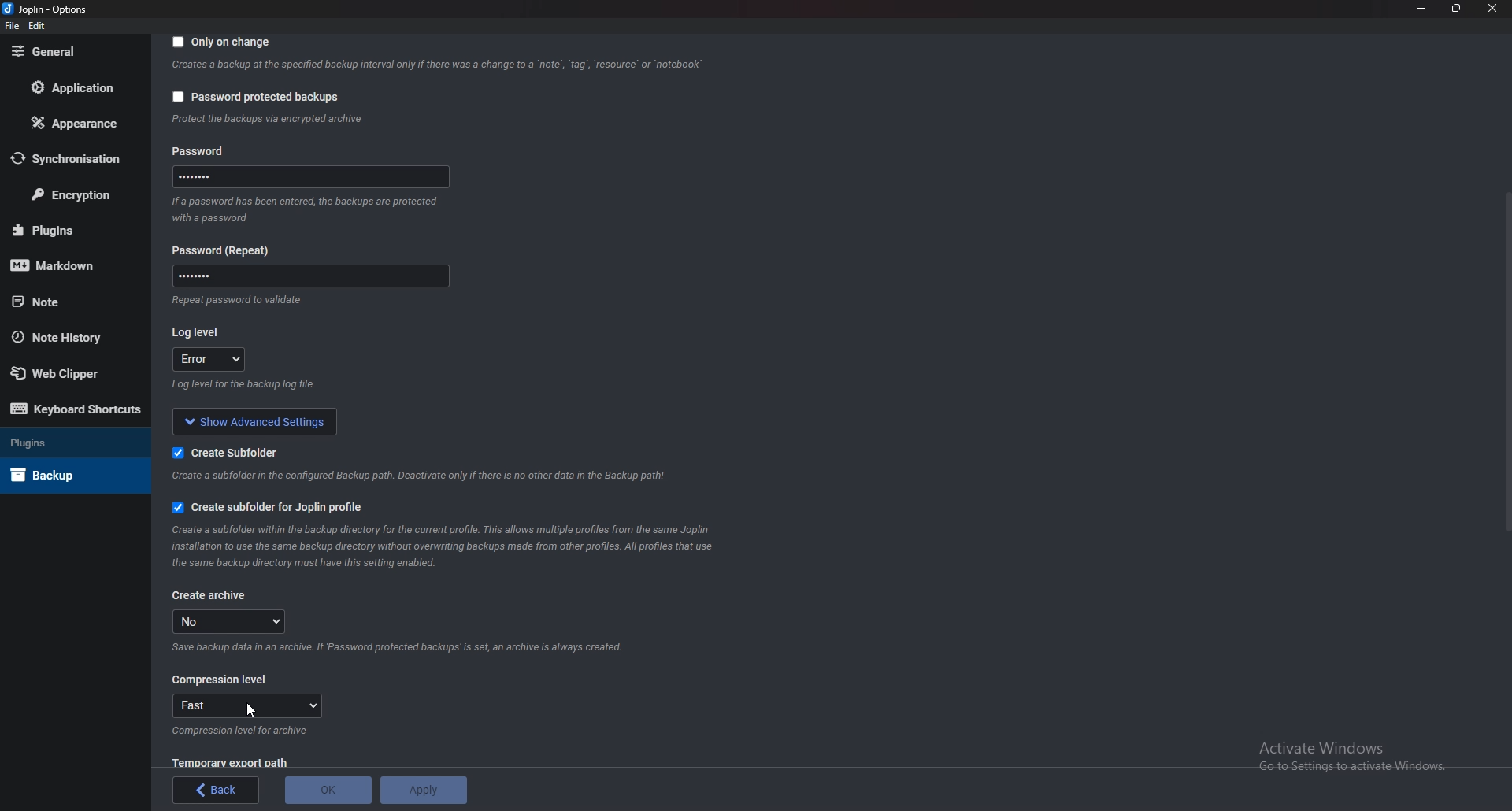 The width and height of the screenshot is (1512, 811). Describe the element at coordinates (198, 330) in the screenshot. I see `Log level` at that location.